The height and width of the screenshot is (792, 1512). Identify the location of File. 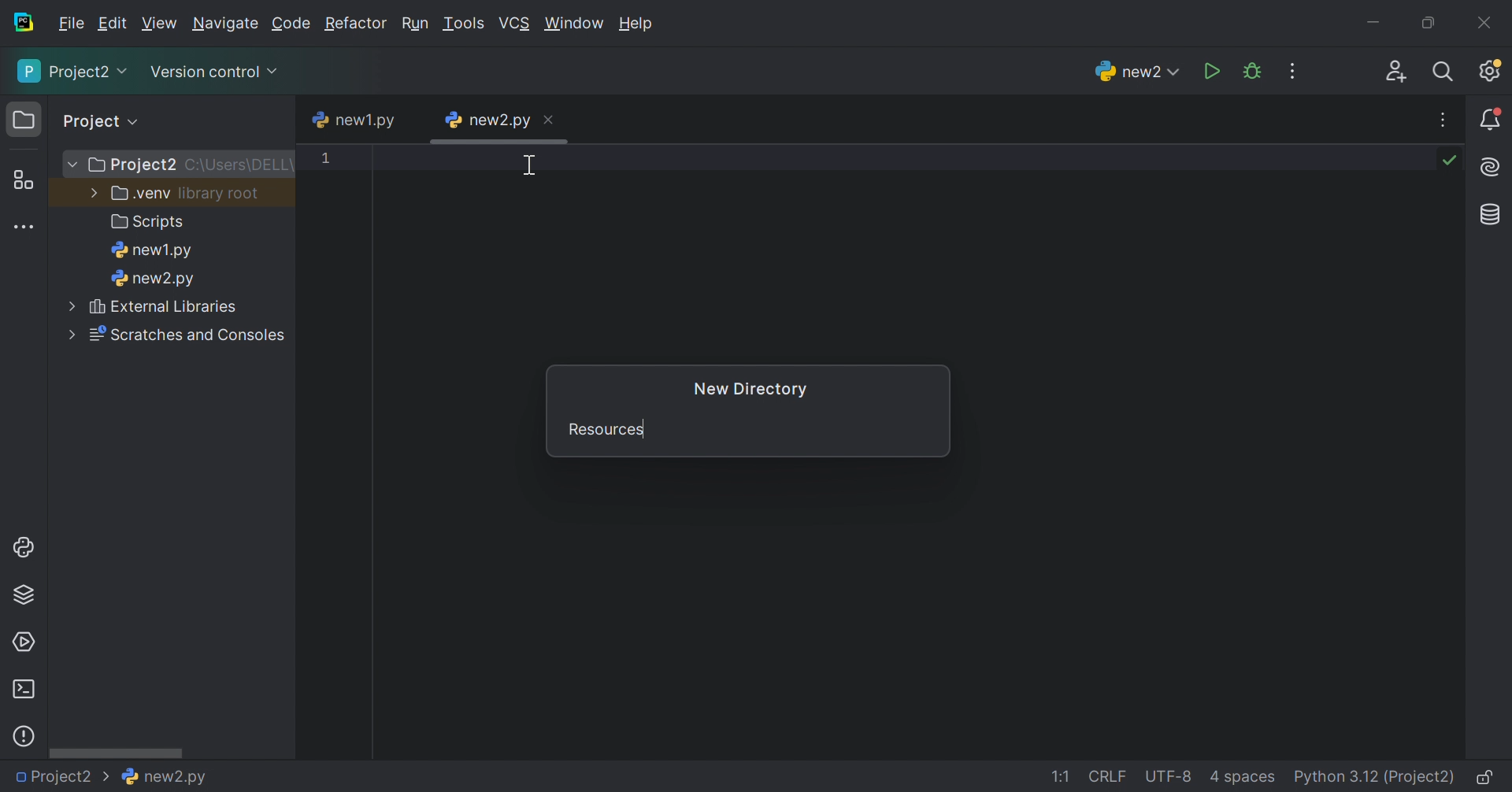
(71, 24).